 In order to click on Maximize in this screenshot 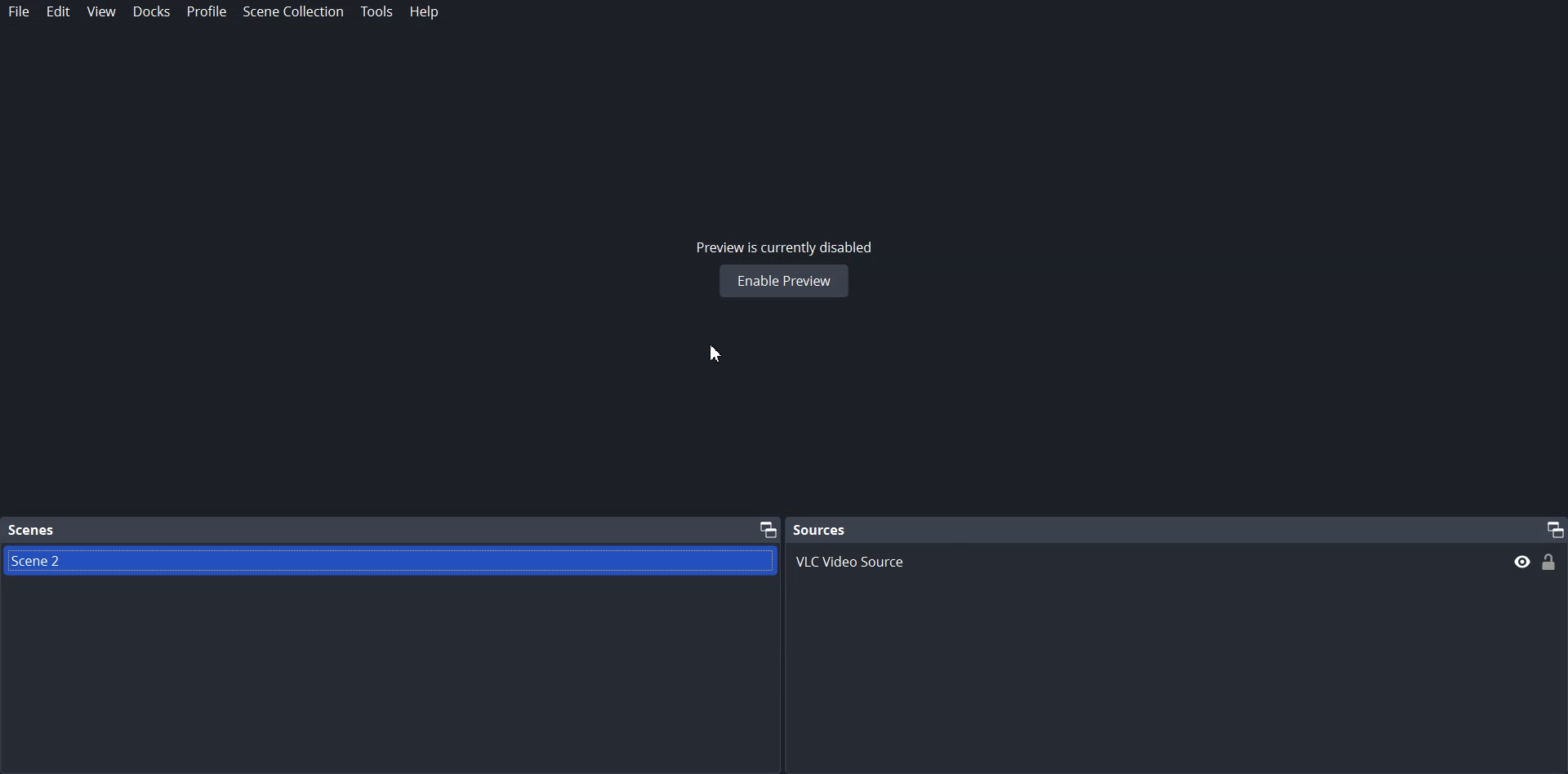, I will do `click(1553, 527)`.